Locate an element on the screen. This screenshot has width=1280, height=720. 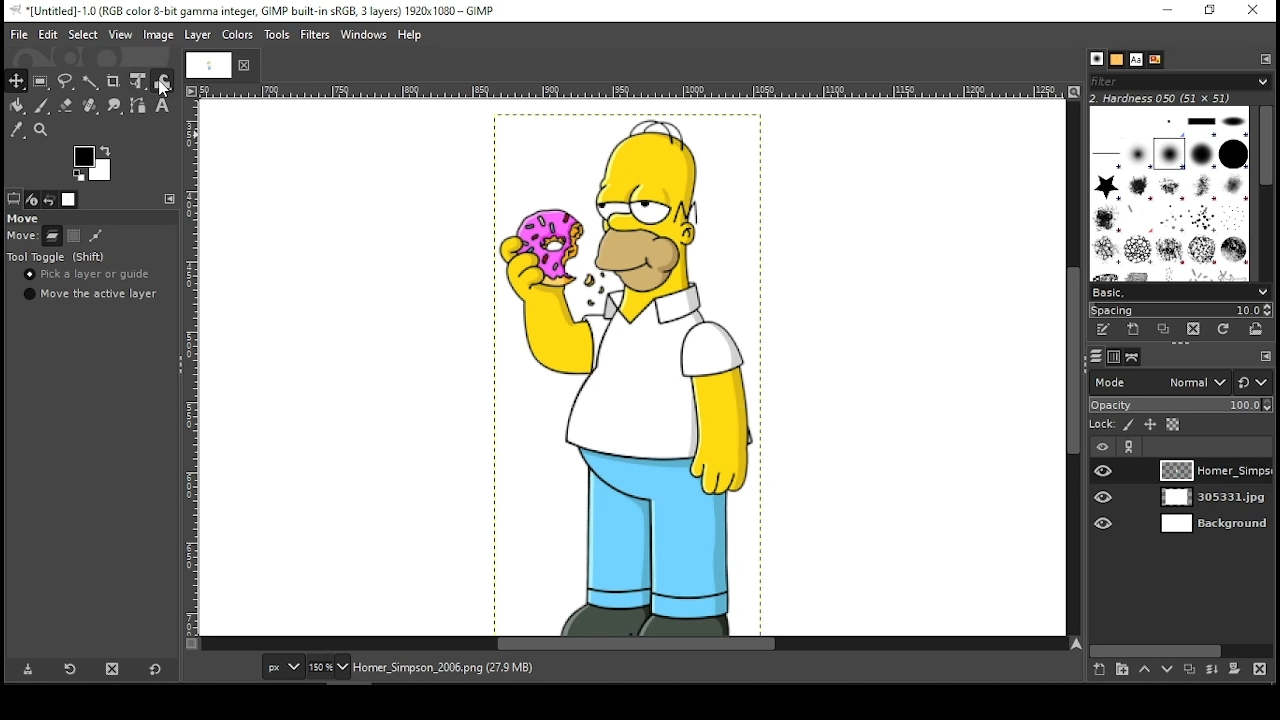
move active layer is located at coordinates (91, 294).